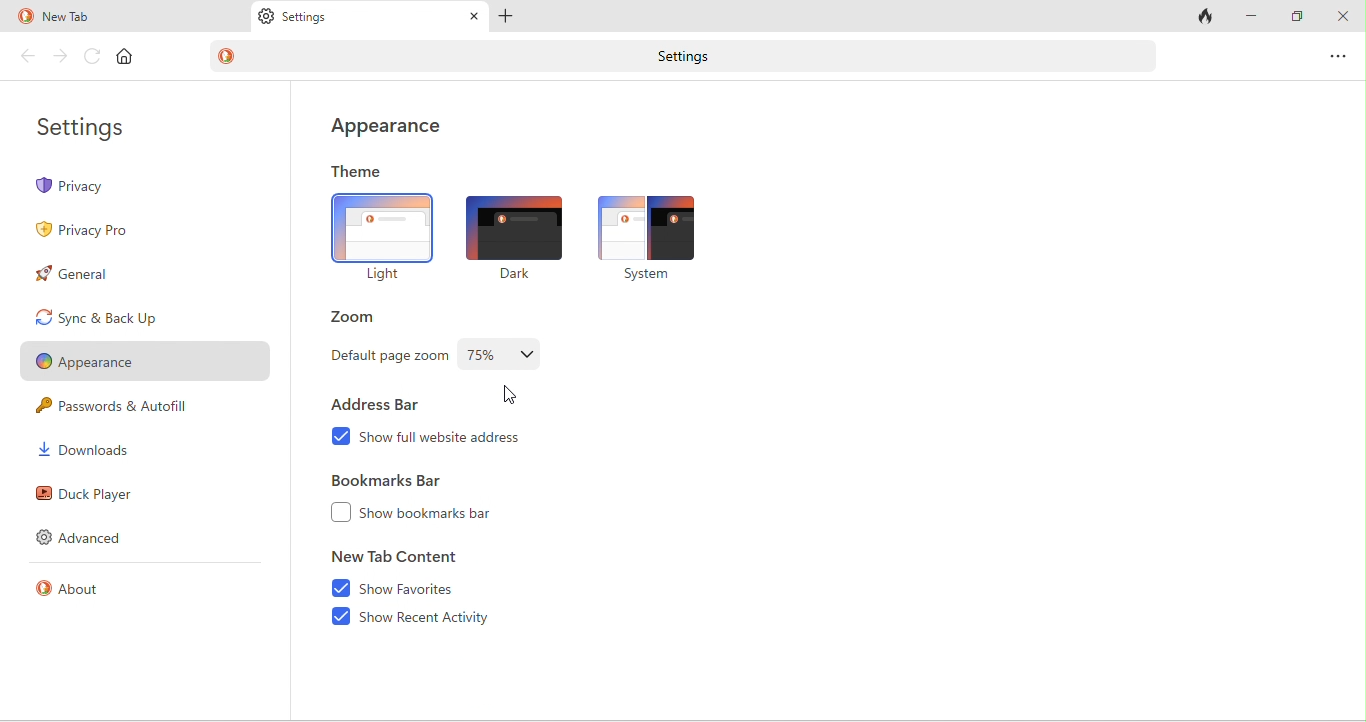 The image size is (1366, 722). Describe the element at coordinates (401, 480) in the screenshot. I see `bookmarks bar` at that location.